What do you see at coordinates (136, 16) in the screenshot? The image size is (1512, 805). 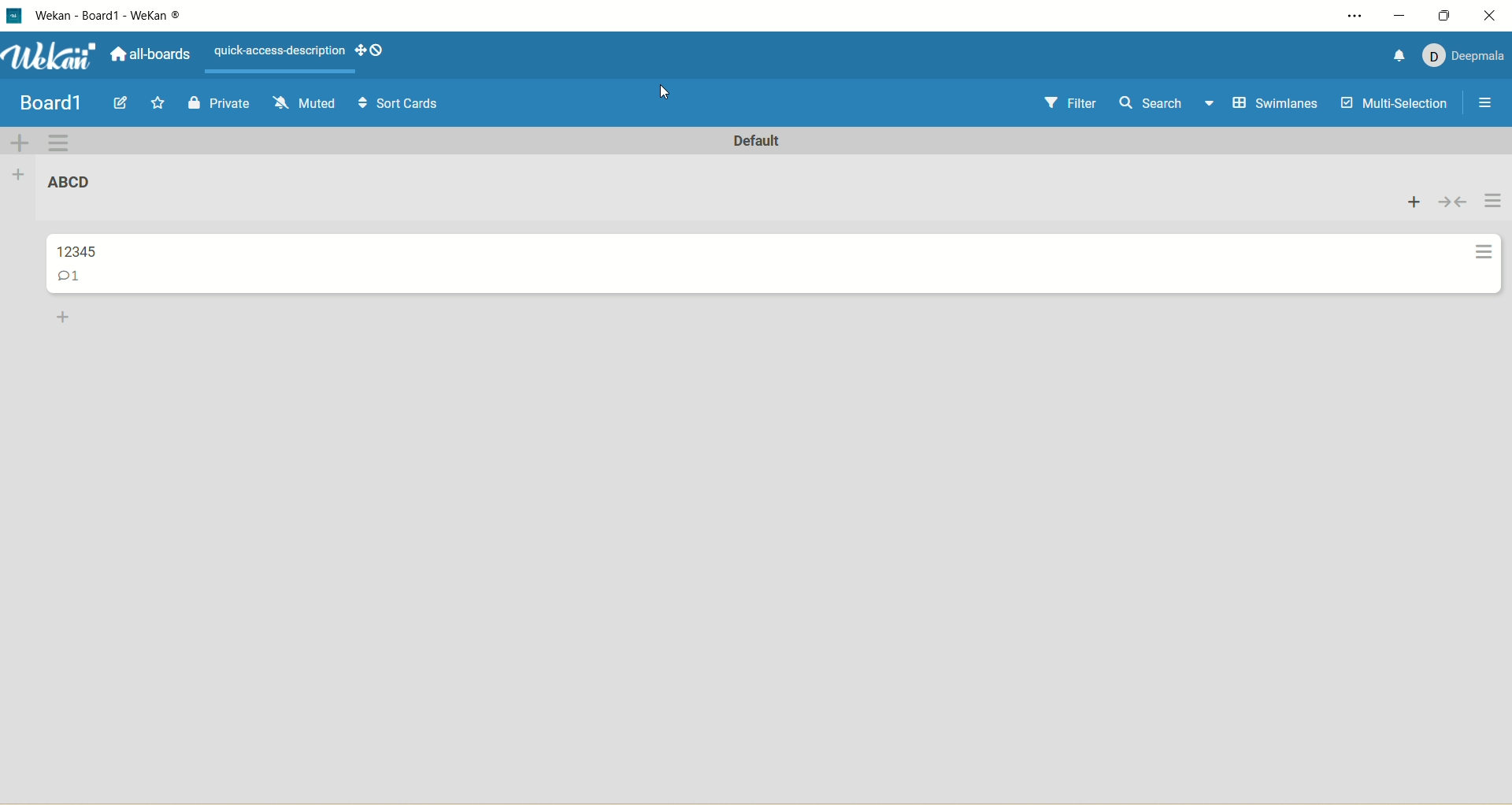 I see `title` at bounding box center [136, 16].